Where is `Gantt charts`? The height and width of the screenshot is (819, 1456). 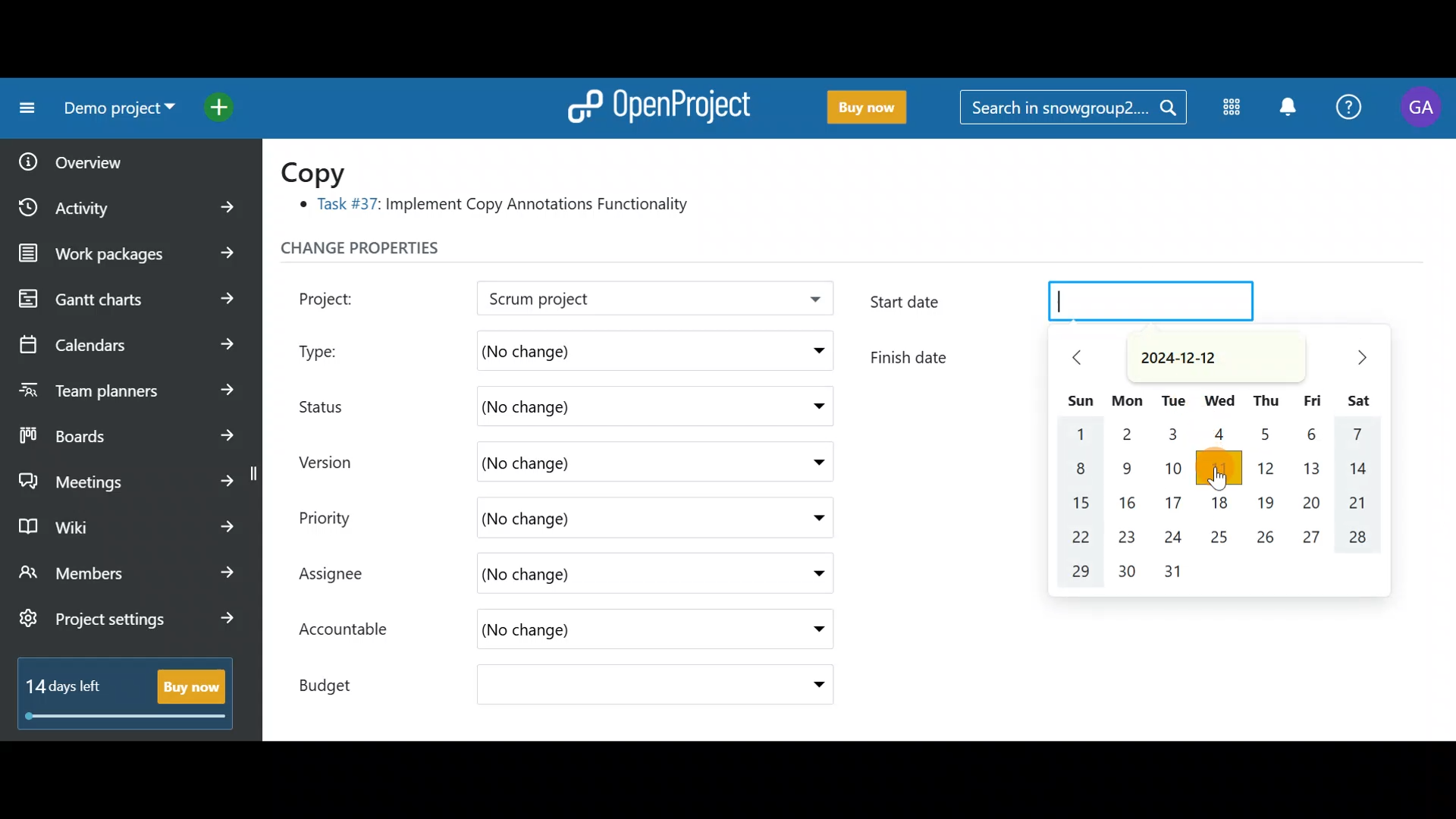
Gantt charts is located at coordinates (124, 300).